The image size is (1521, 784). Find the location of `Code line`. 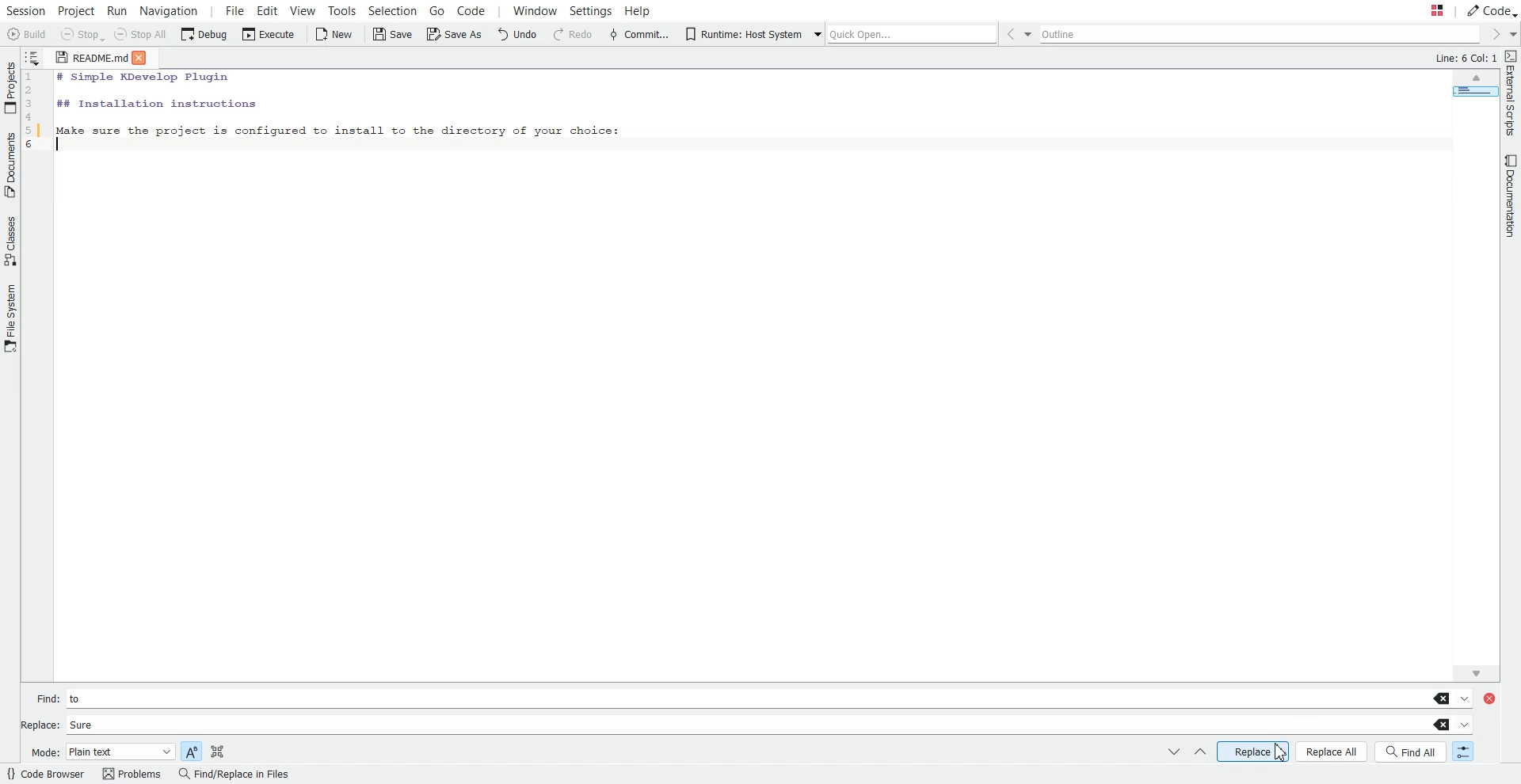

Code line is located at coordinates (35, 114).